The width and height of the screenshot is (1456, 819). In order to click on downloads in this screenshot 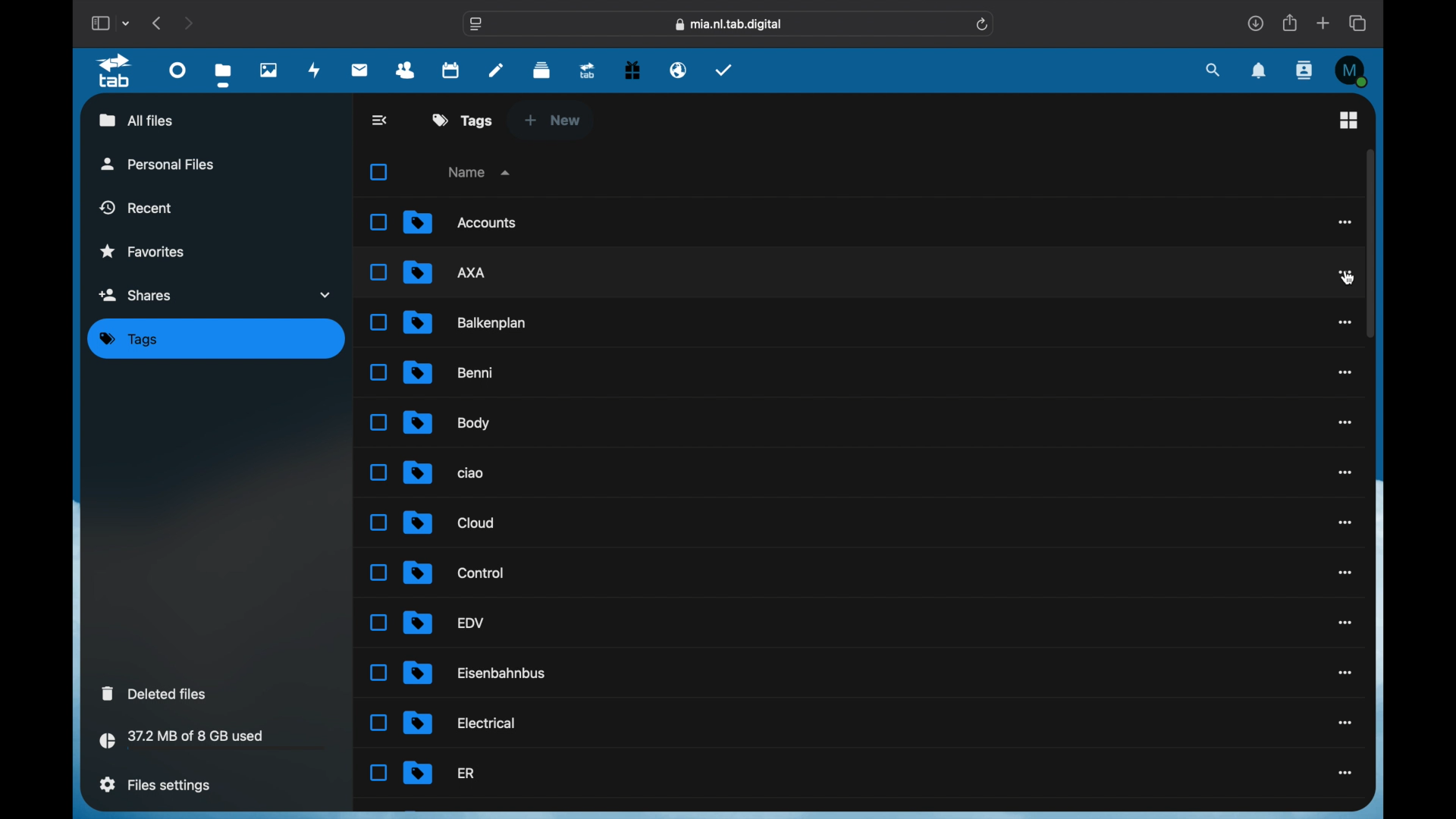, I will do `click(1256, 23)`.